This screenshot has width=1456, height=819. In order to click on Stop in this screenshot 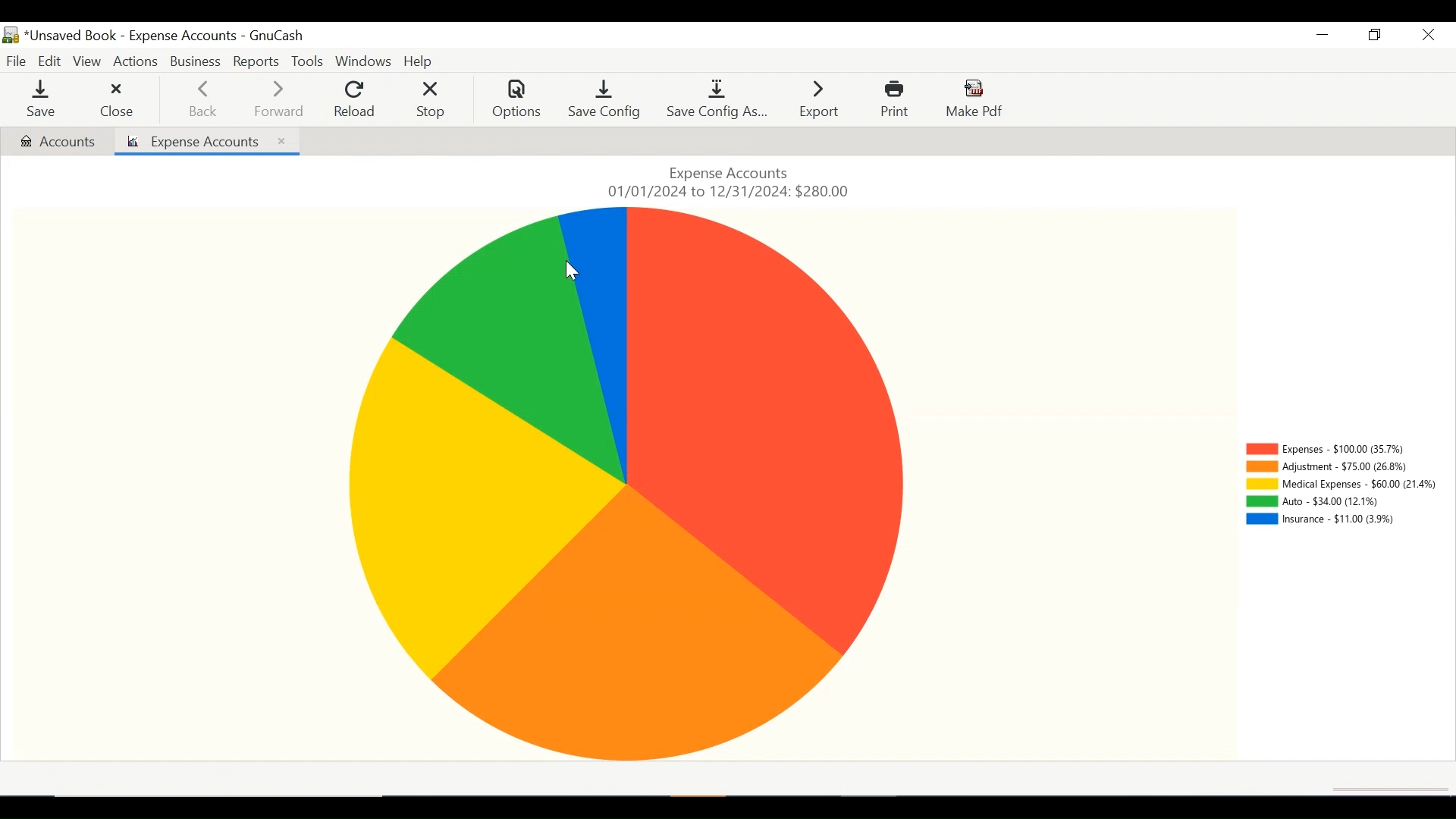, I will do `click(436, 99)`.